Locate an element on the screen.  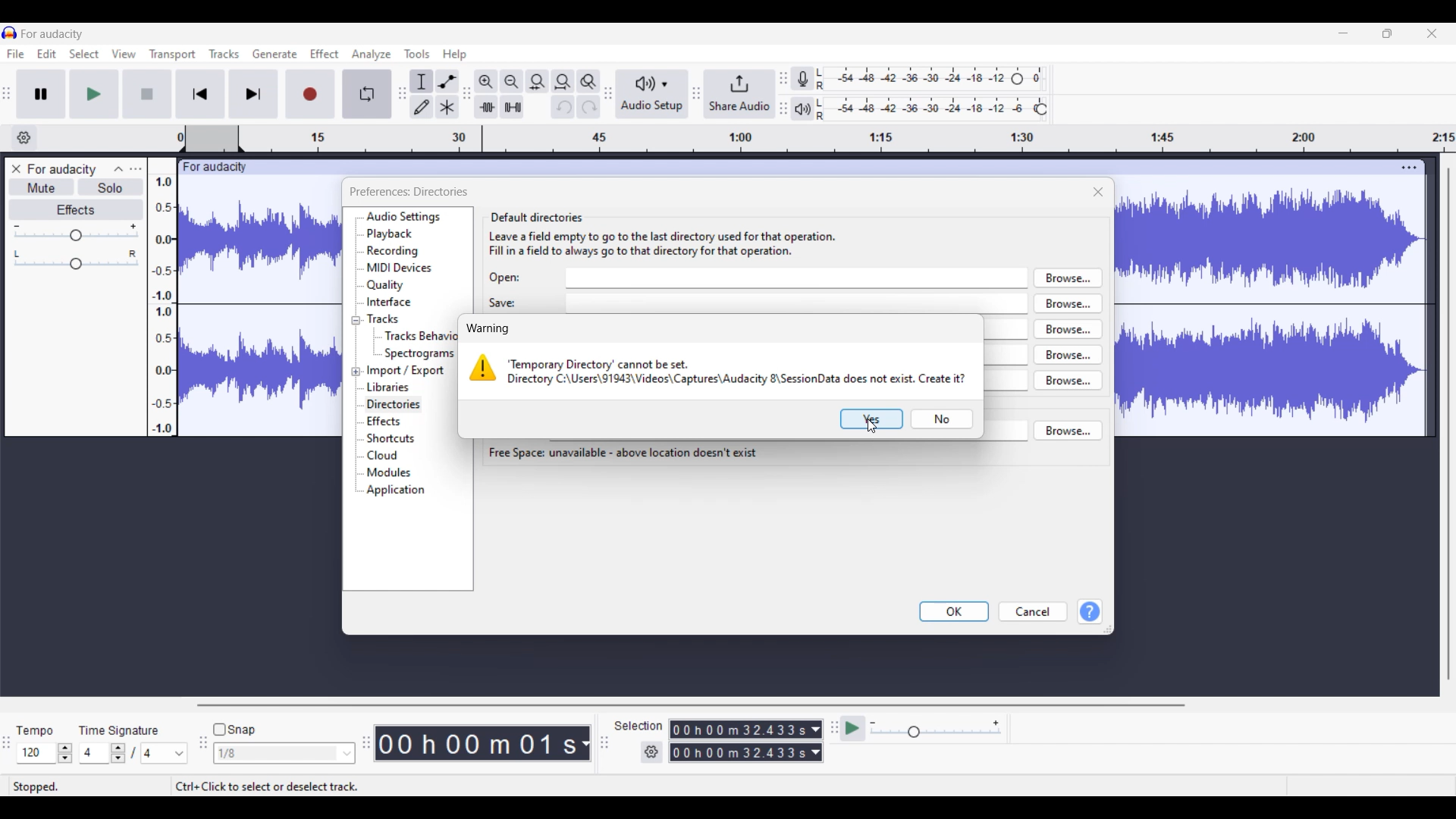
Shortcuts is located at coordinates (391, 438).